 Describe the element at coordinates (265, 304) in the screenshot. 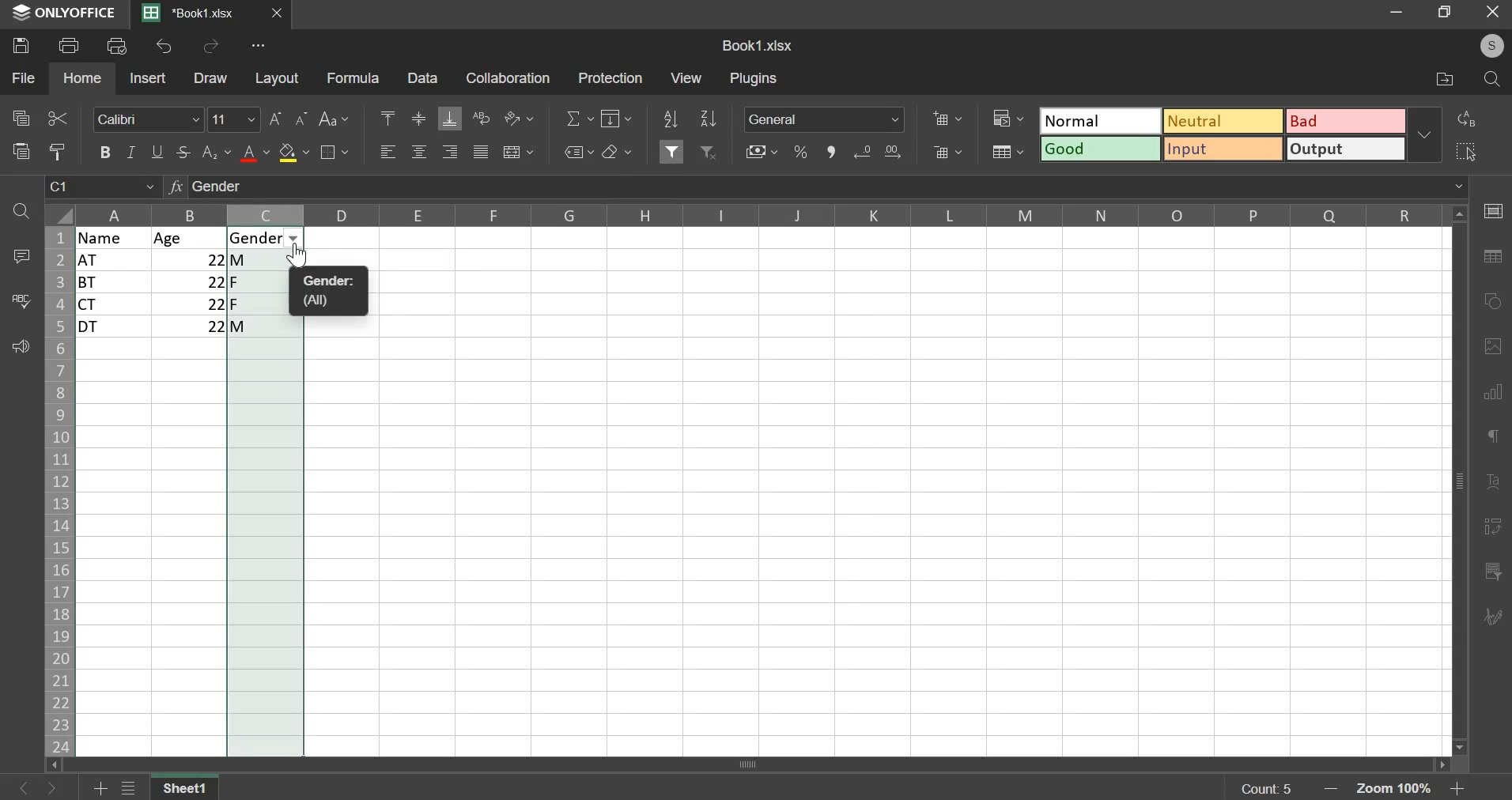

I see `f` at that location.